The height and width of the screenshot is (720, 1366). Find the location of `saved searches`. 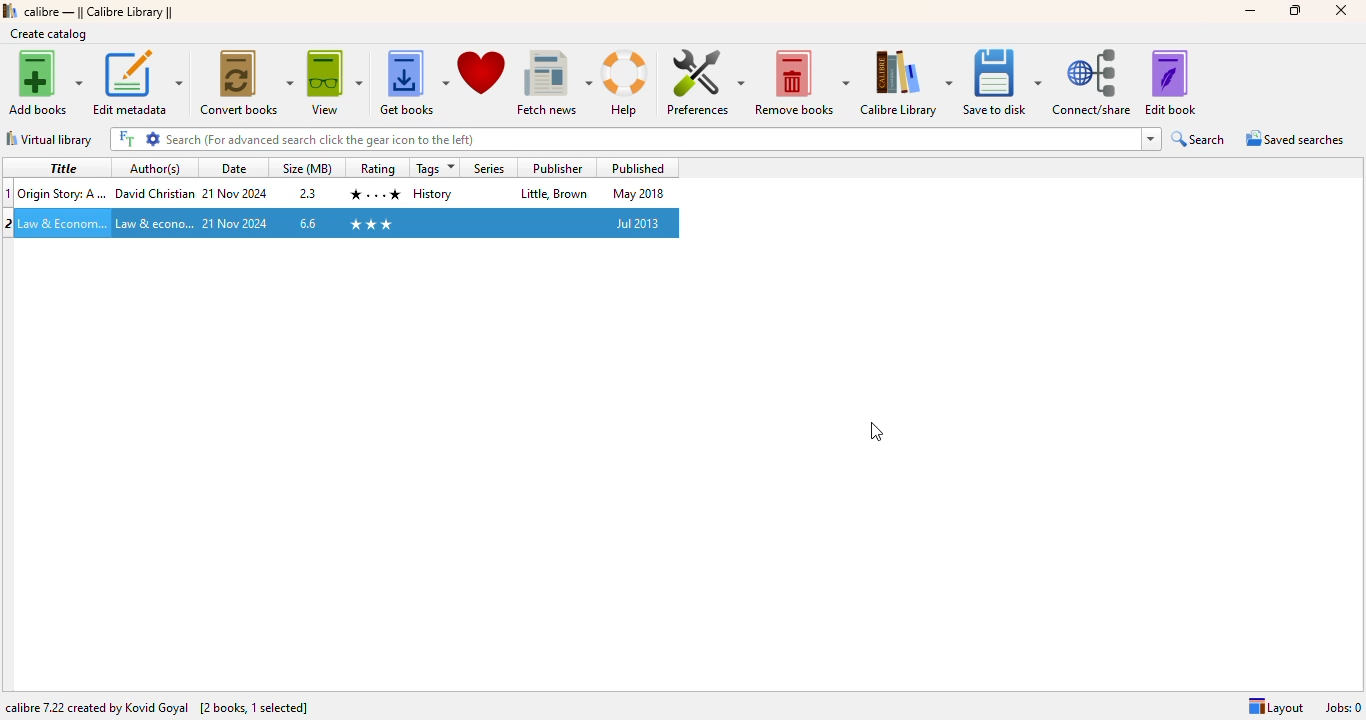

saved searches is located at coordinates (1293, 139).